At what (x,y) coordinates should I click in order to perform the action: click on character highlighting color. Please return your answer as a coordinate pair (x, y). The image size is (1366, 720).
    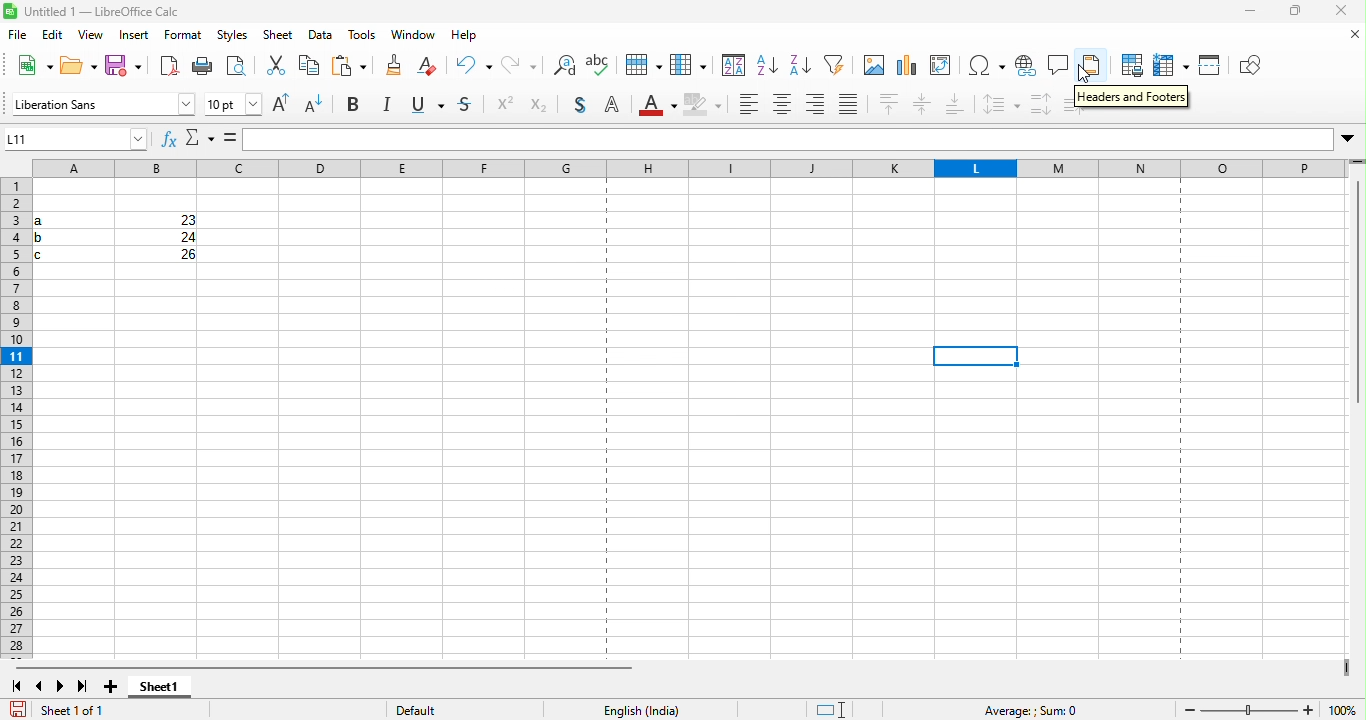
    Looking at the image, I should click on (707, 106).